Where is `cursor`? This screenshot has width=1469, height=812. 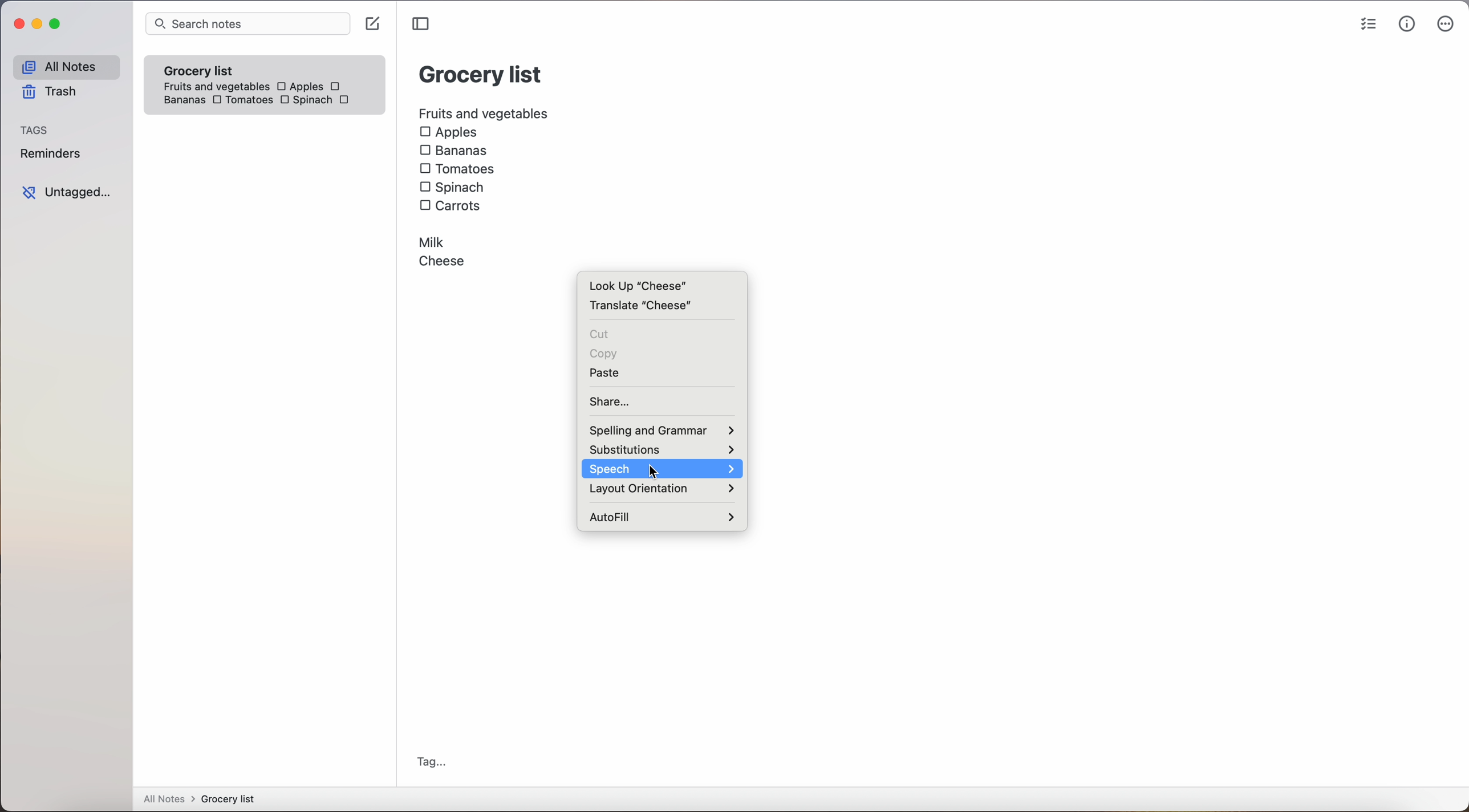
cursor is located at coordinates (650, 472).